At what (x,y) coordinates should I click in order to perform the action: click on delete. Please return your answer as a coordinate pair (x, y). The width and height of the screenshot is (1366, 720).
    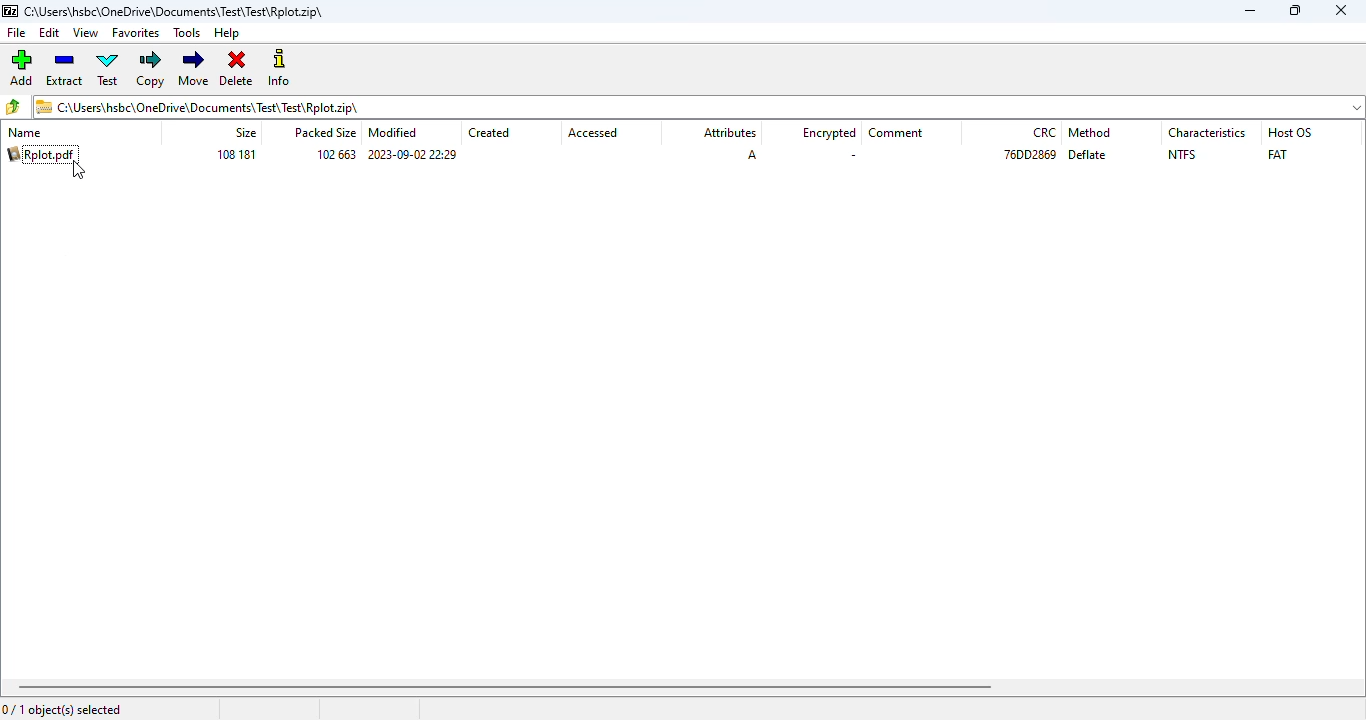
    Looking at the image, I should click on (237, 68).